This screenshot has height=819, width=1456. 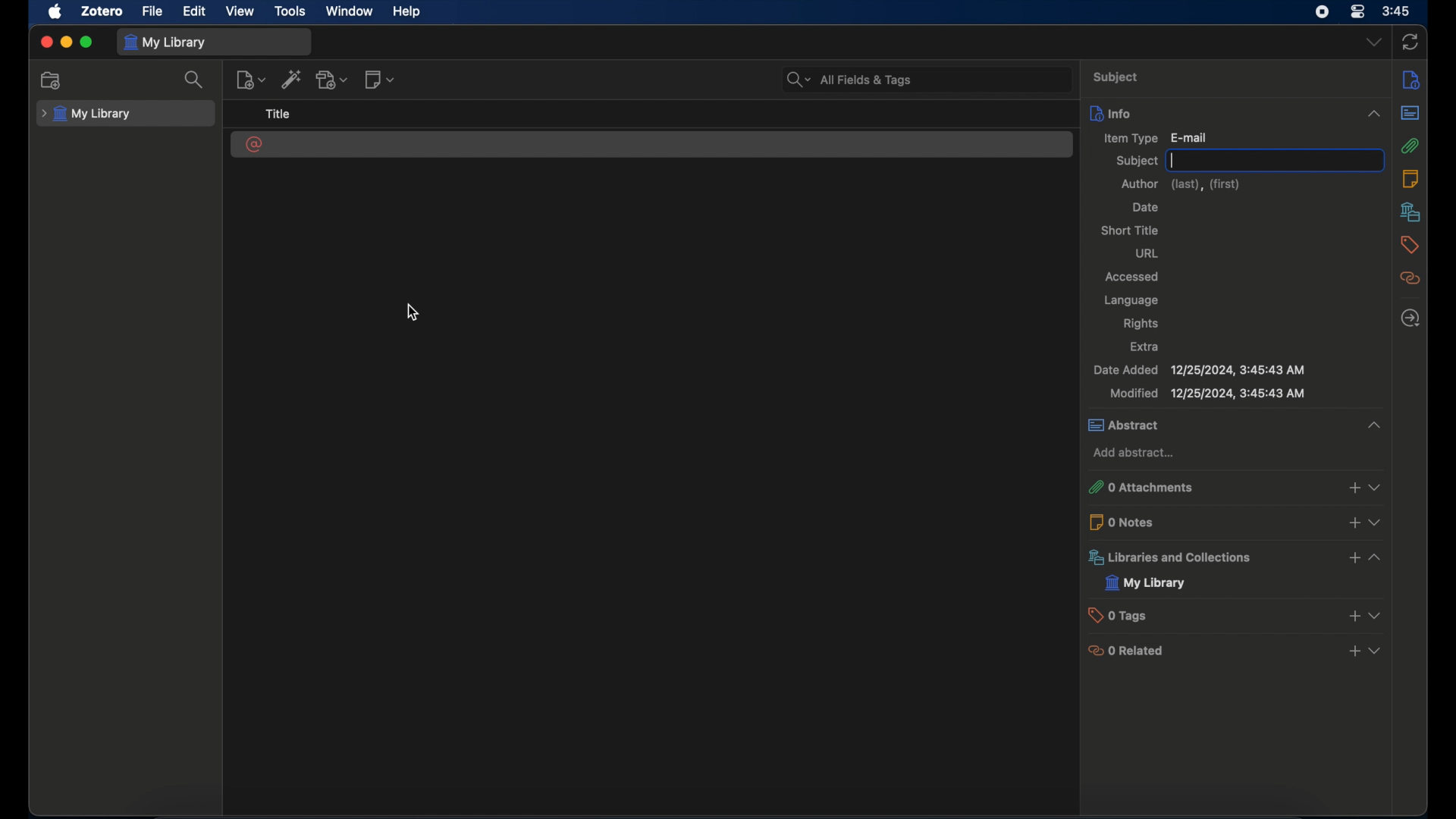 What do you see at coordinates (1238, 521) in the screenshot?
I see `0 notes` at bounding box center [1238, 521].